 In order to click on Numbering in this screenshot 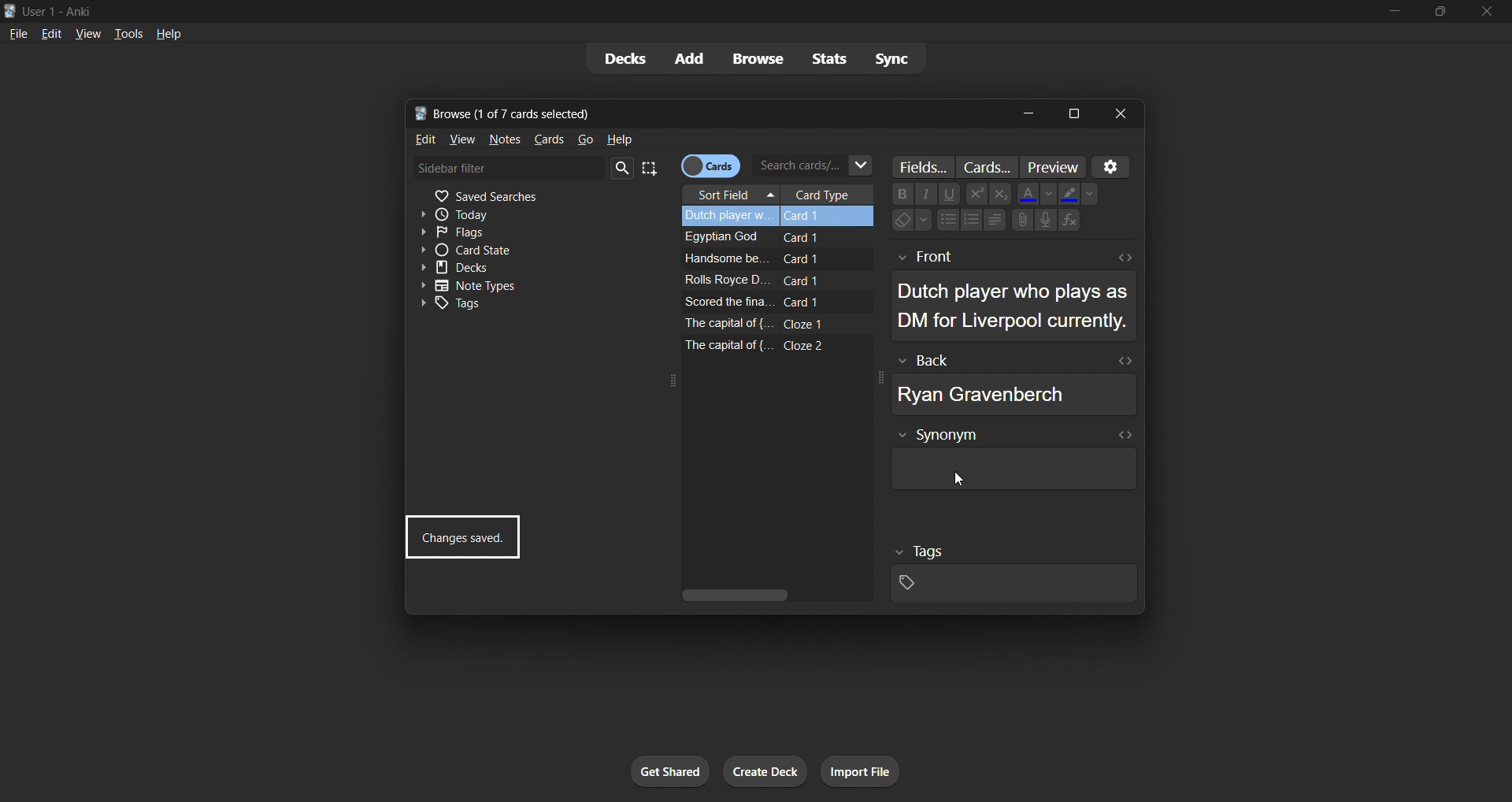, I will do `click(970, 220)`.